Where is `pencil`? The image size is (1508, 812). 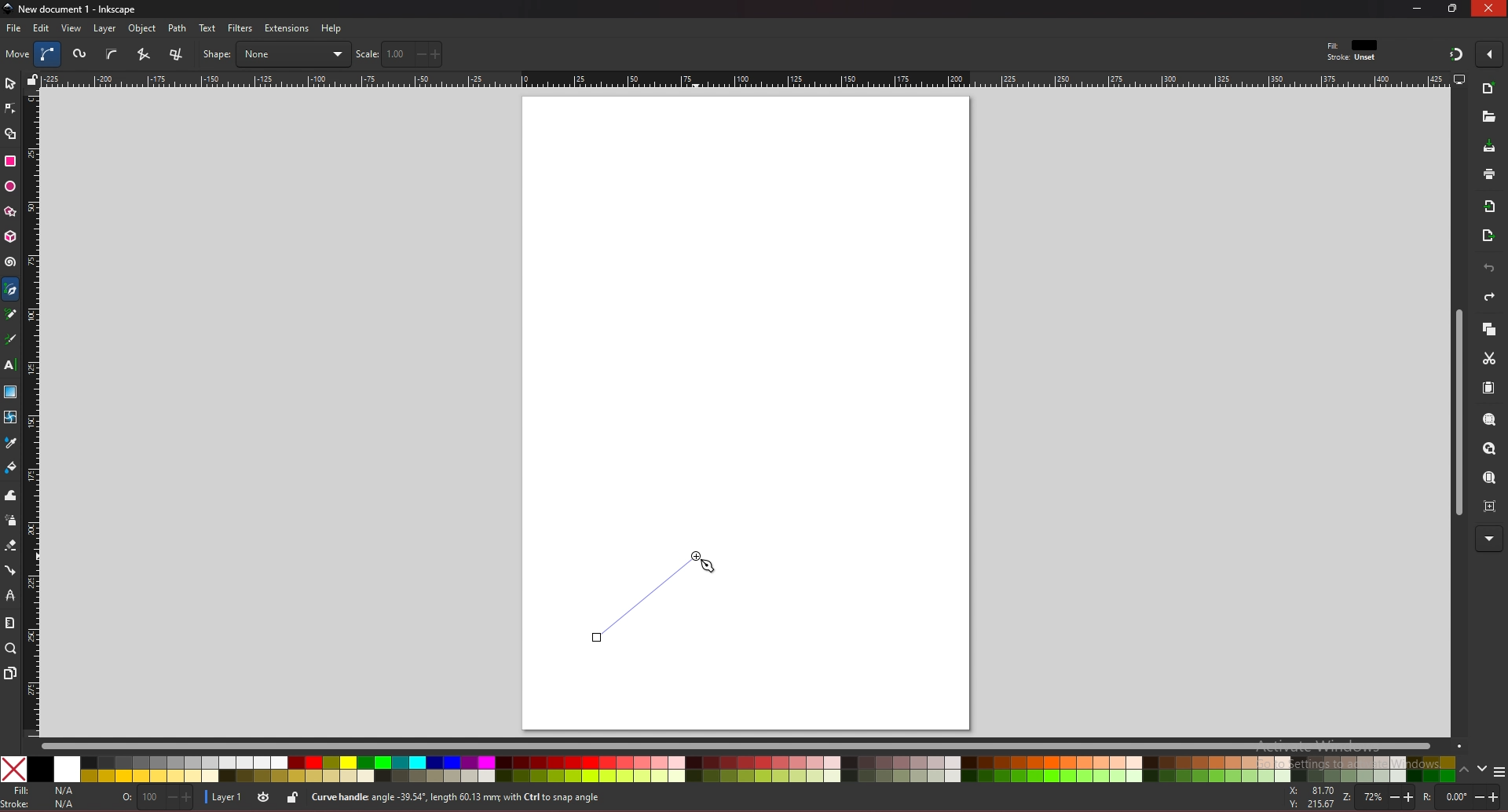
pencil is located at coordinates (15, 315).